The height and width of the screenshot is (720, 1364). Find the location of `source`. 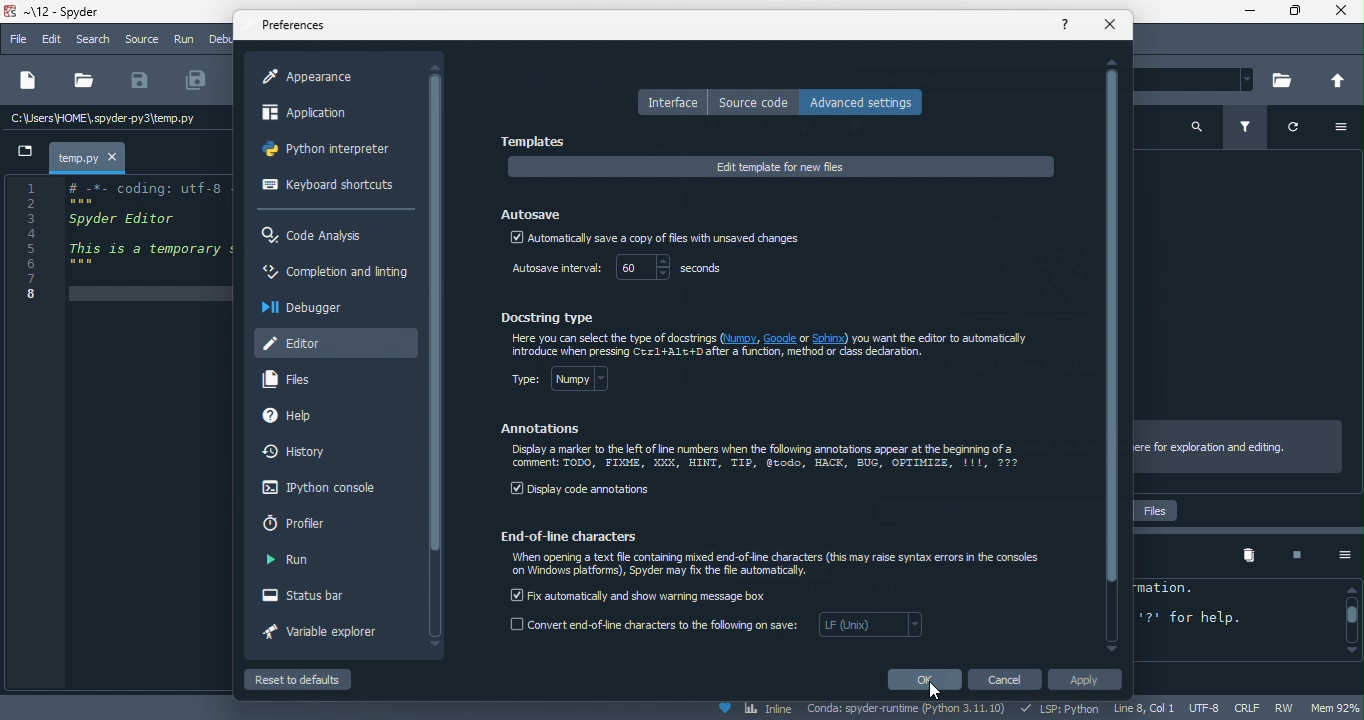

source is located at coordinates (141, 39).